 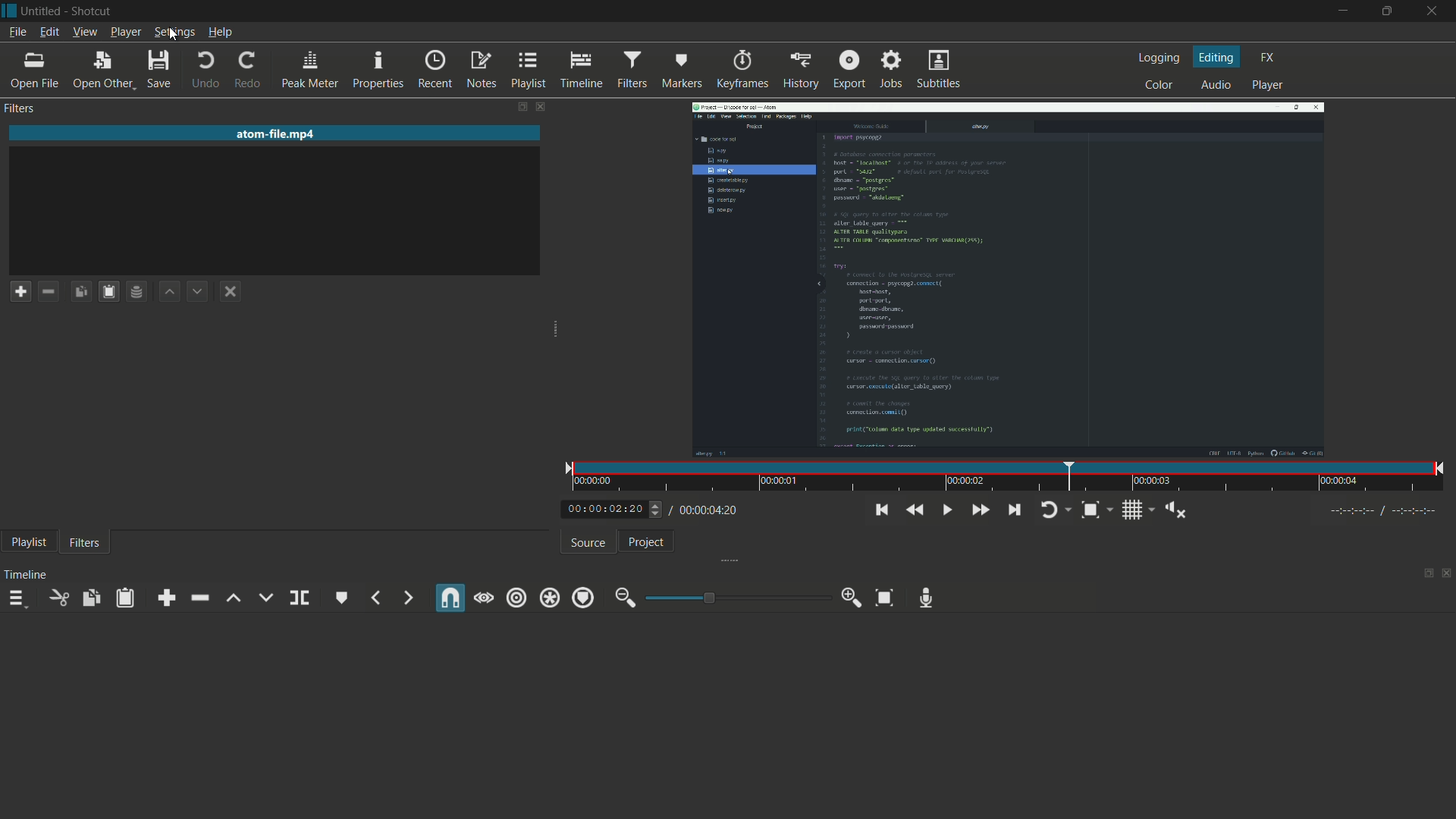 I want to click on deselect the filter, so click(x=231, y=292).